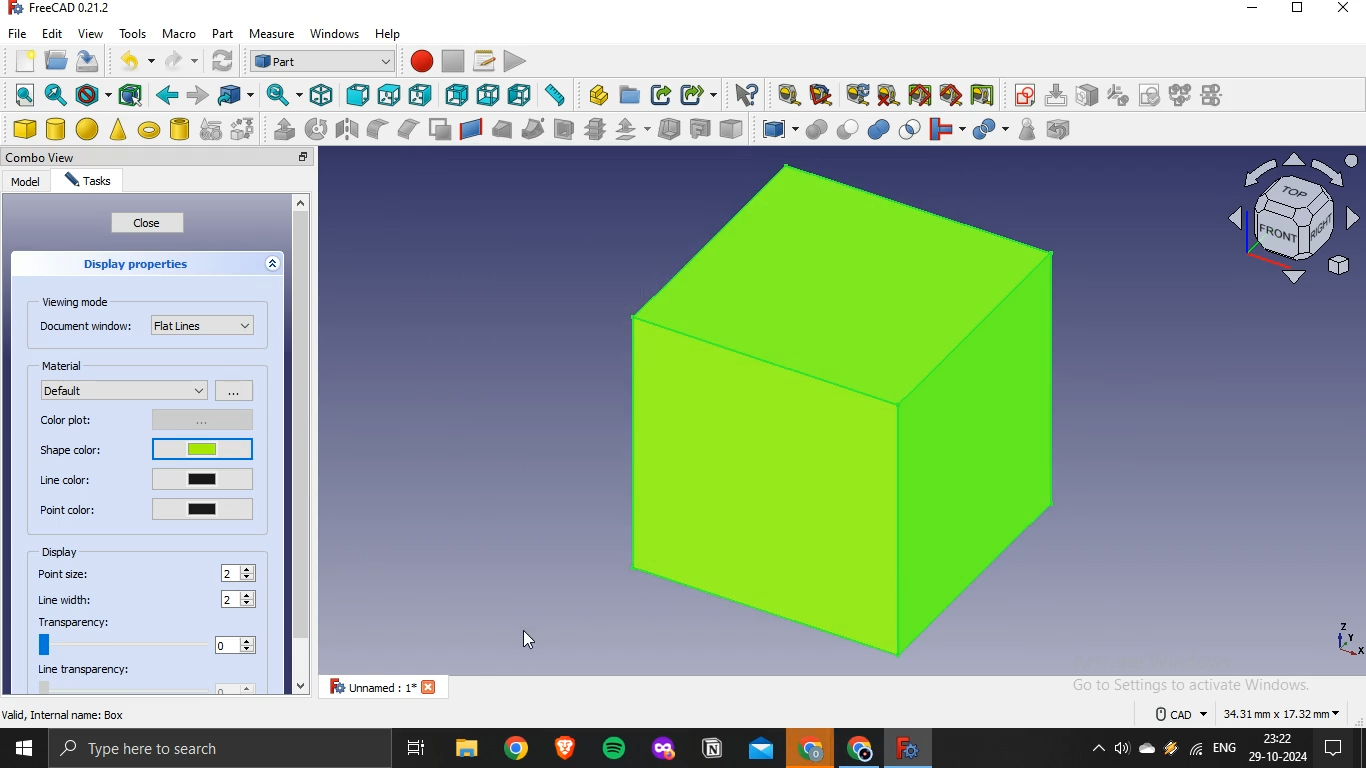 This screenshot has height=768, width=1366. What do you see at coordinates (63, 552) in the screenshot?
I see `display` at bounding box center [63, 552].